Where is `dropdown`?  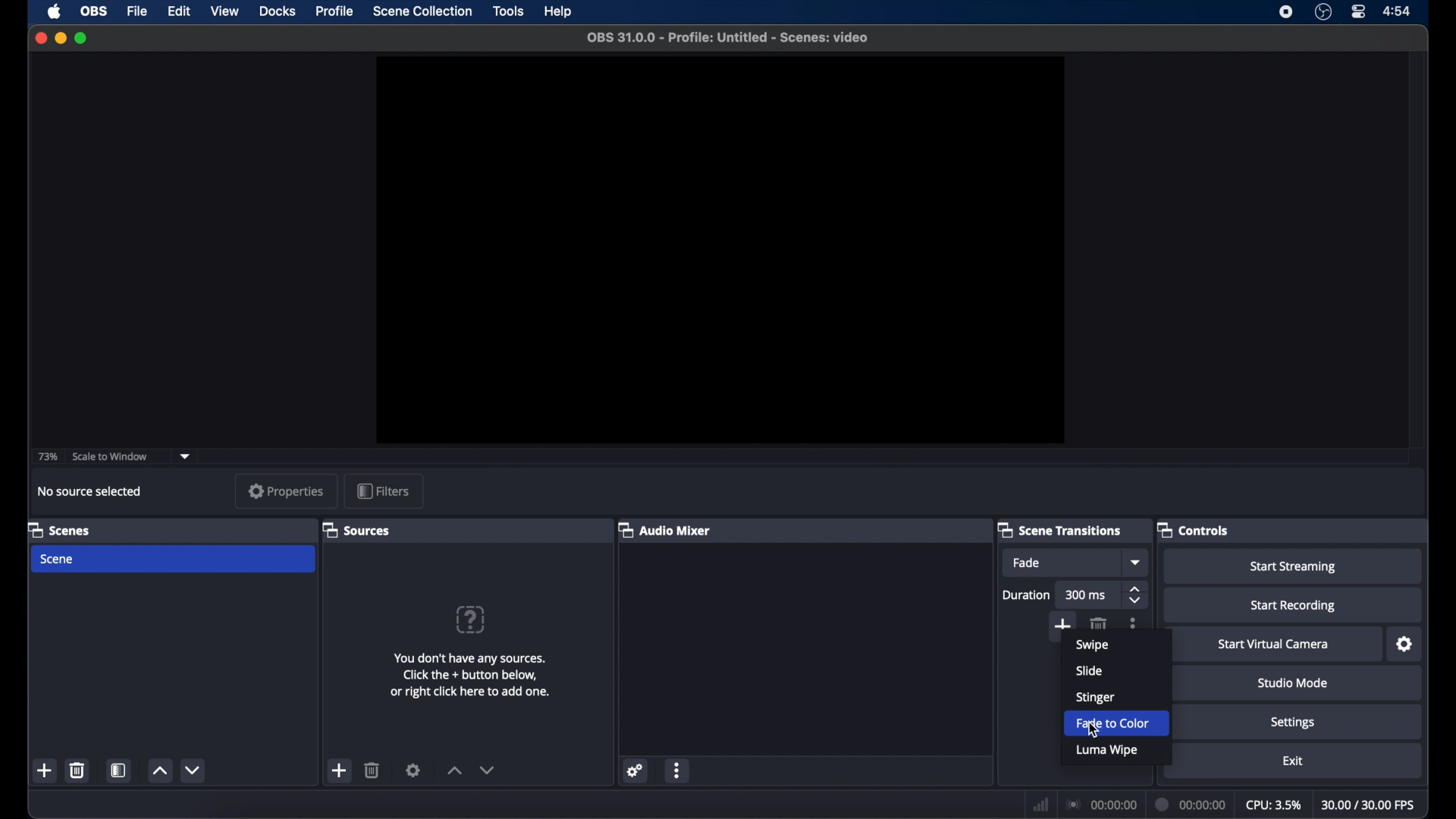 dropdown is located at coordinates (187, 455).